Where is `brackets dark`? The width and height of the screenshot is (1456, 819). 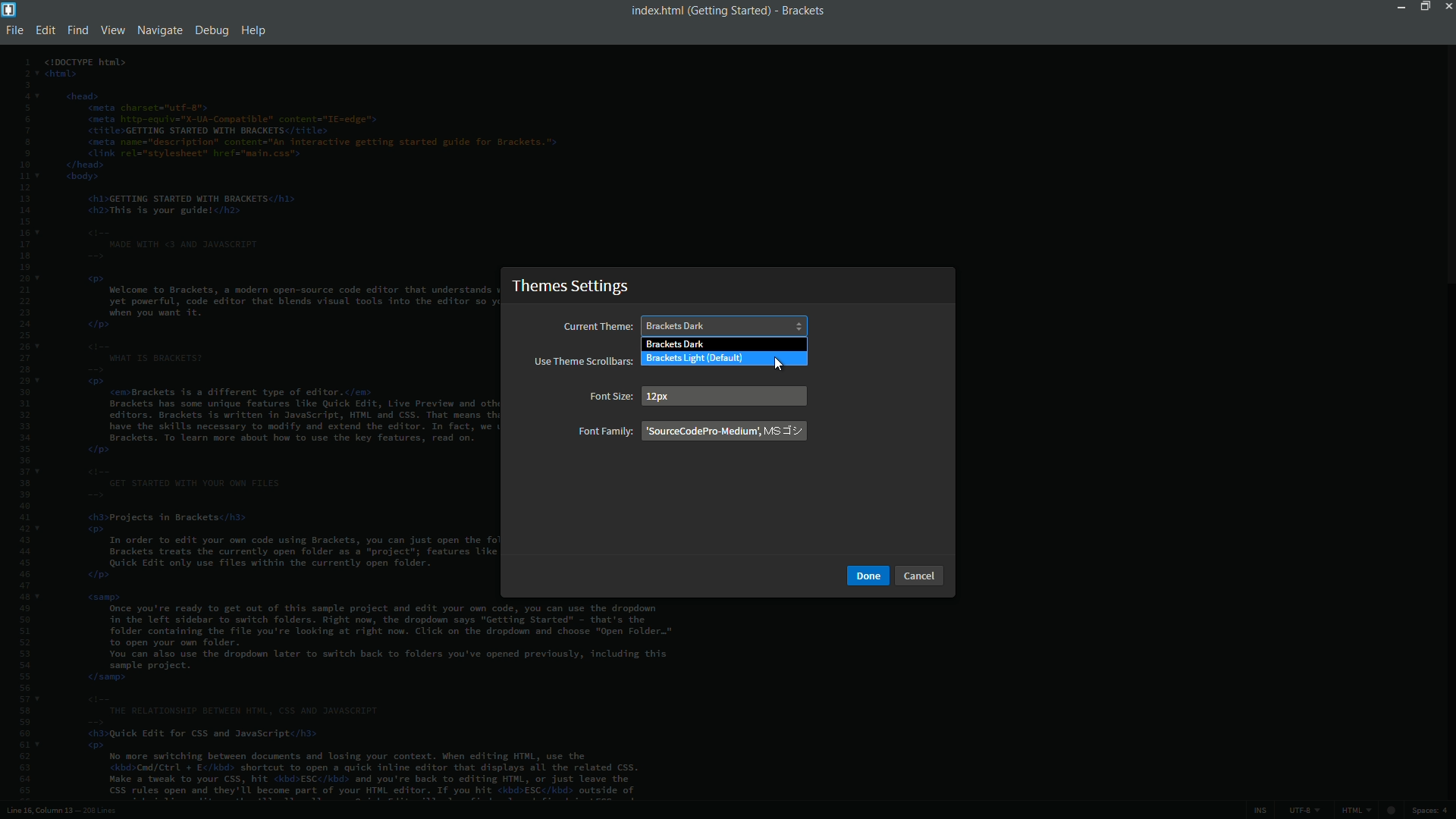
brackets dark is located at coordinates (675, 344).